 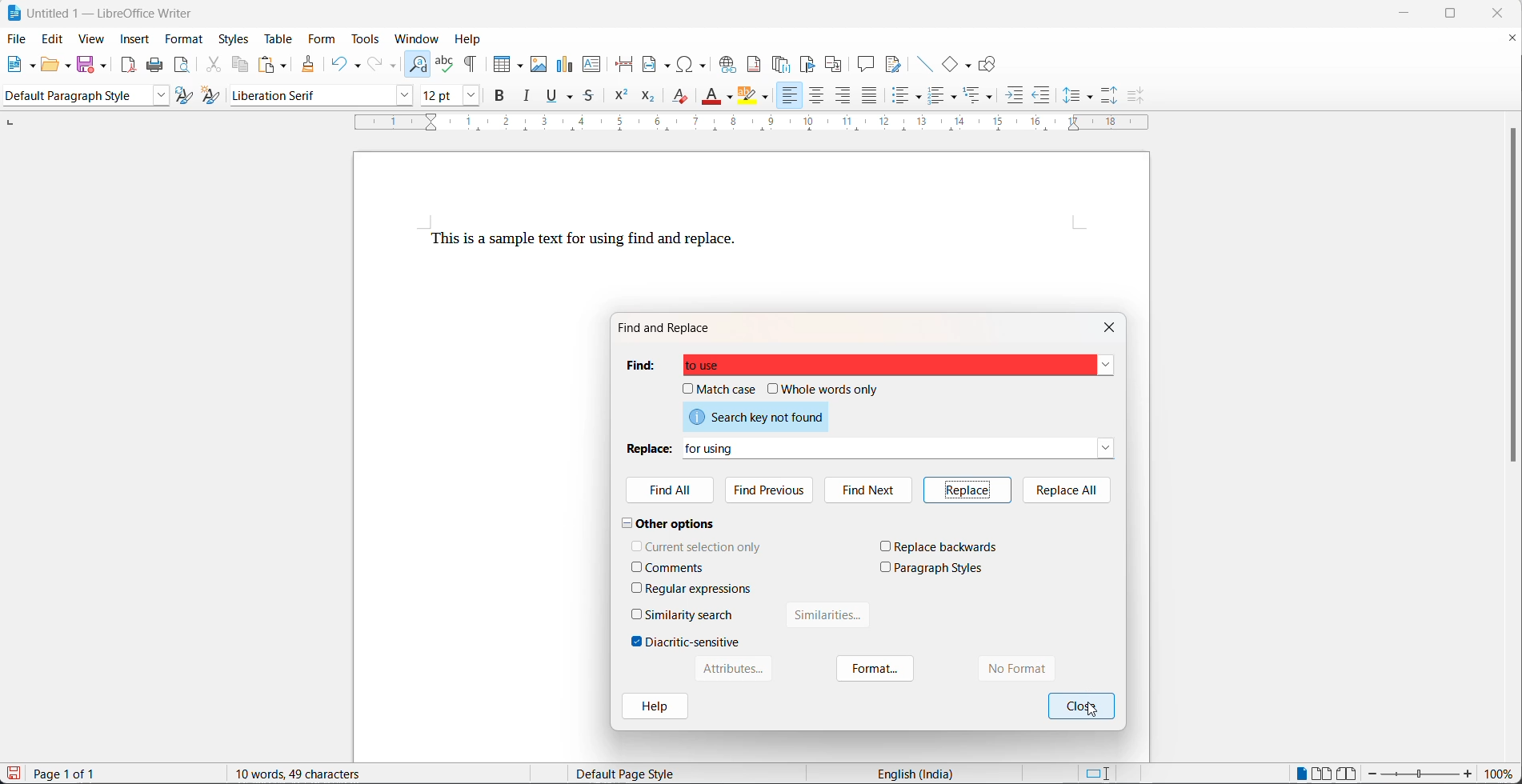 What do you see at coordinates (1042, 98) in the screenshot?
I see `decrease indent` at bounding box center [1042, 98].